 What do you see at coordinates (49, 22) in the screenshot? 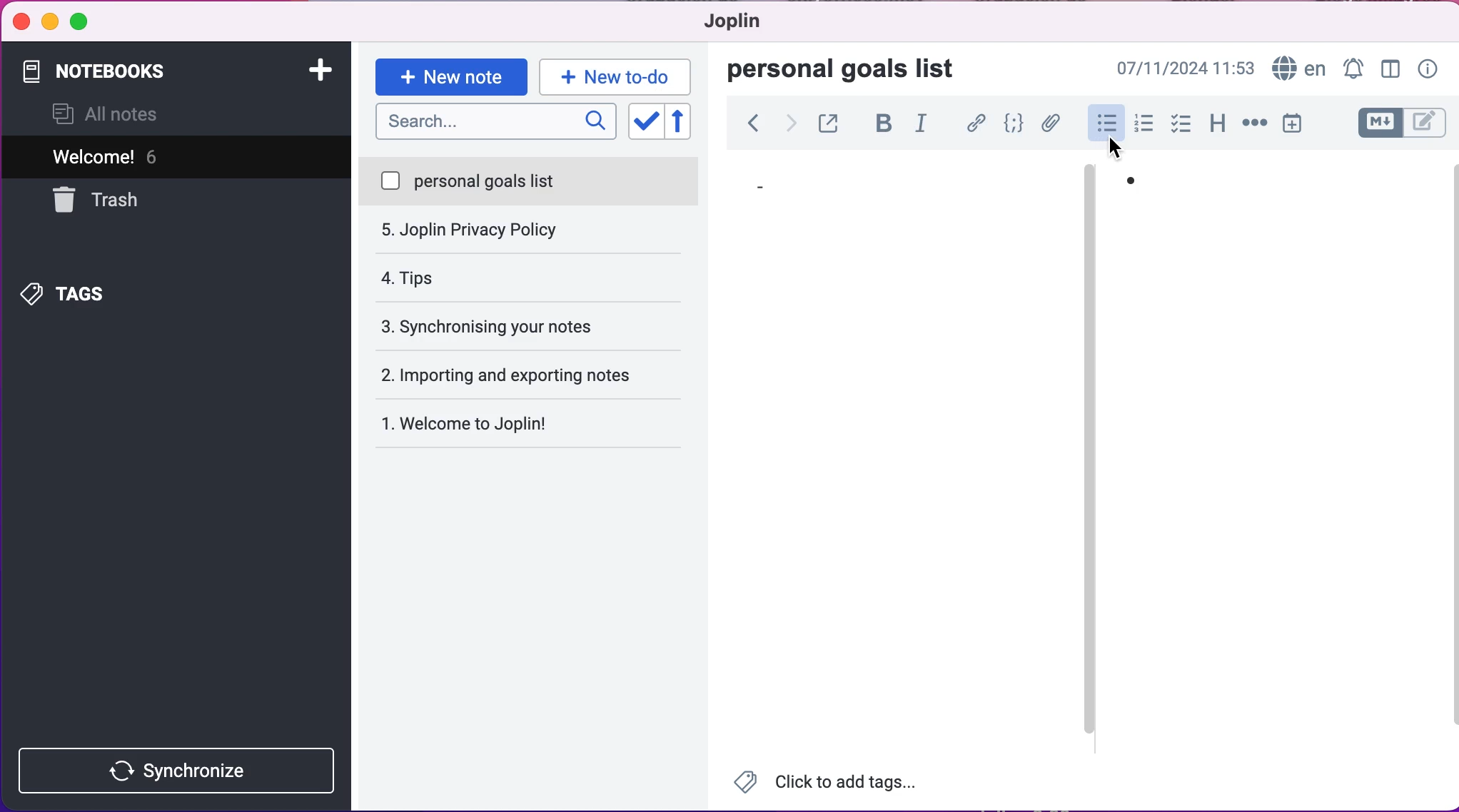
I see `minimize` at bounding box center [49, 22].